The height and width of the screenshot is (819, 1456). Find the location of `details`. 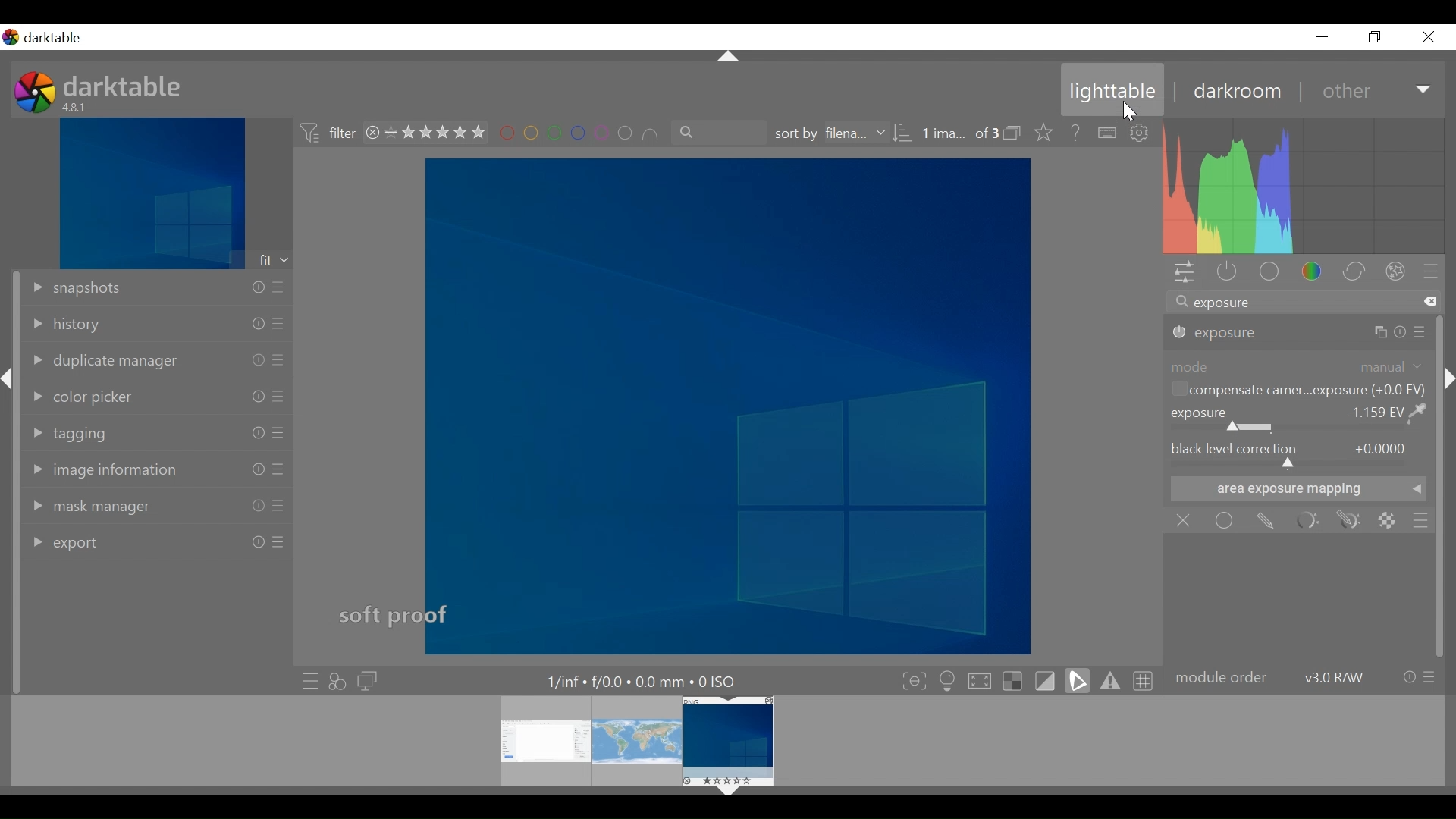

details is located at coordinates (645, 679).